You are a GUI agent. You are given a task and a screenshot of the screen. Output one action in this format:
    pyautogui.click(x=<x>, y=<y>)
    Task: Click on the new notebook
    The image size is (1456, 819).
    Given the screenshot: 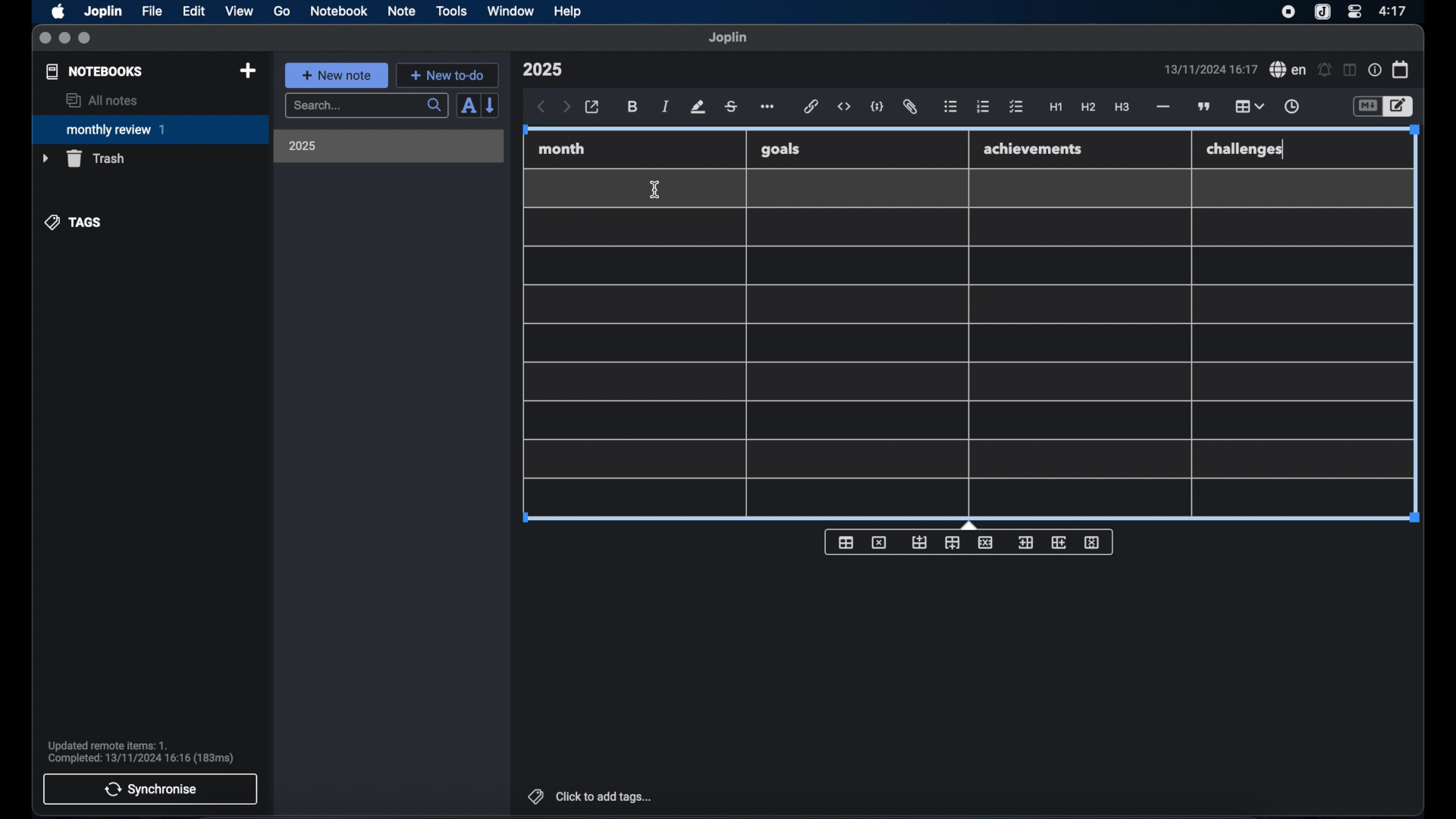 What is the action you would take?
    pyautogui.click(x=247, y=71)
    